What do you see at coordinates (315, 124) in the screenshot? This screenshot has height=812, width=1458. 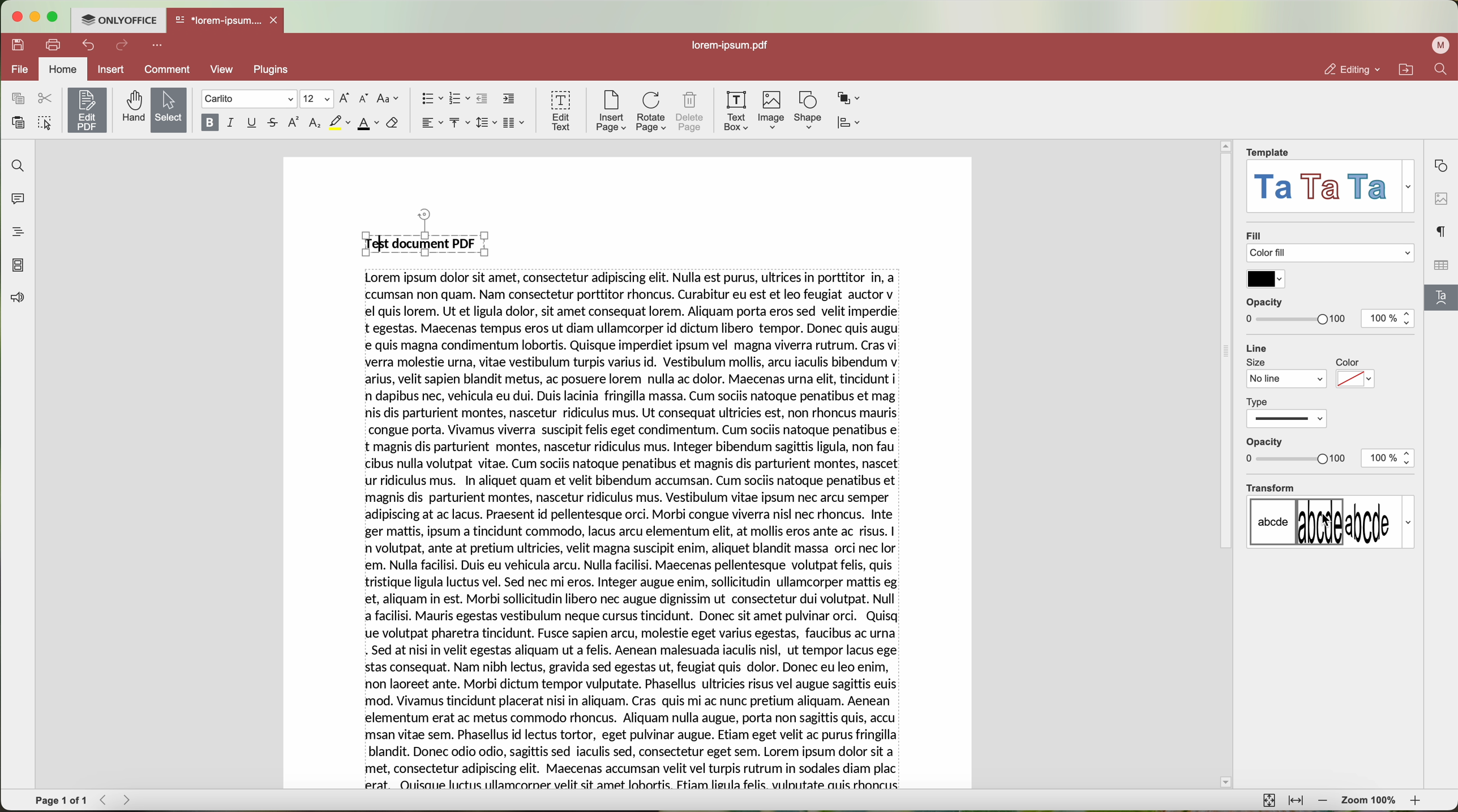 I see `subscript` at bounding box center [315, 124].